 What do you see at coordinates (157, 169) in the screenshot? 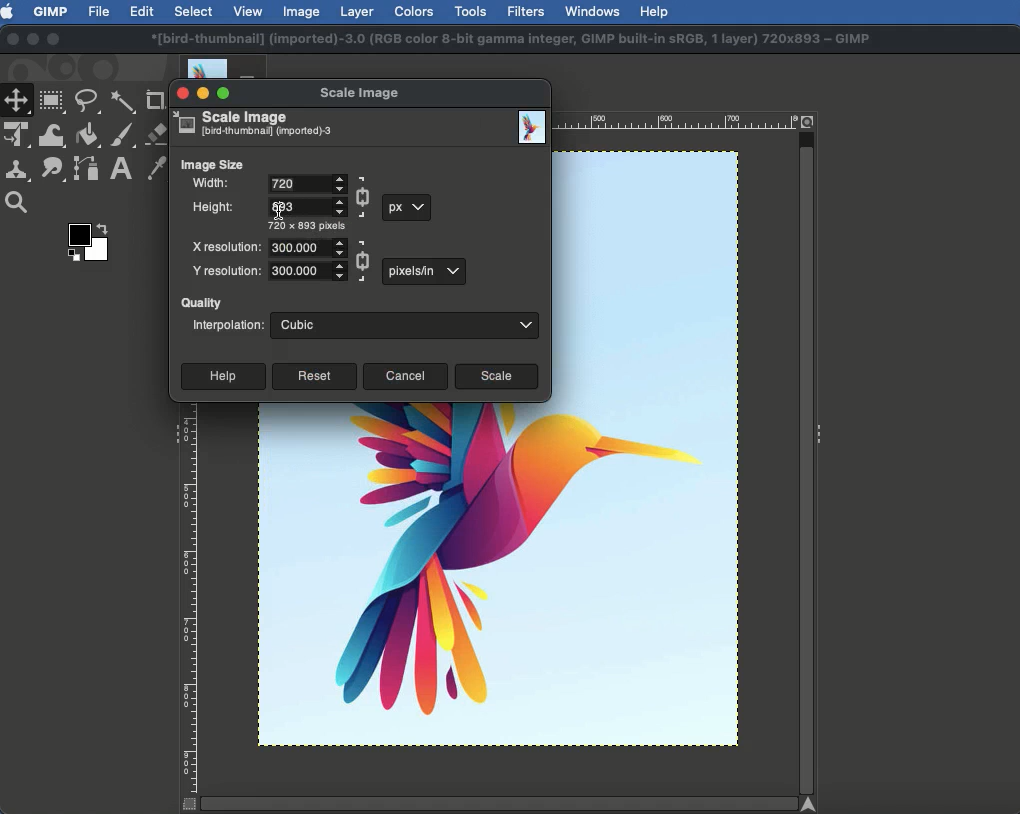
I see `Color picker` at bounding box center [157, 169].